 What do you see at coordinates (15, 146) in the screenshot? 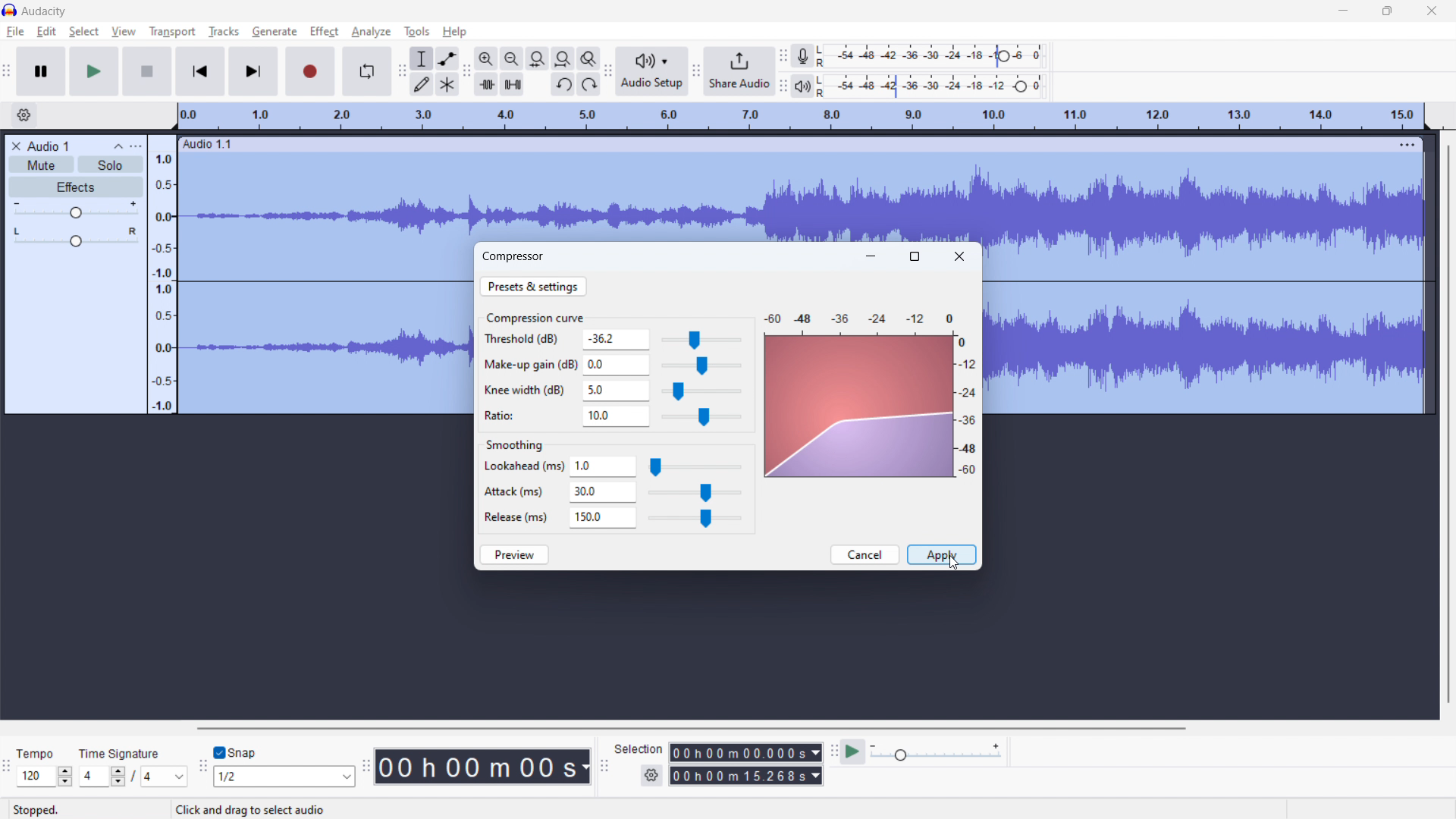
I see `delete audio` at bounding box center [15, 146].